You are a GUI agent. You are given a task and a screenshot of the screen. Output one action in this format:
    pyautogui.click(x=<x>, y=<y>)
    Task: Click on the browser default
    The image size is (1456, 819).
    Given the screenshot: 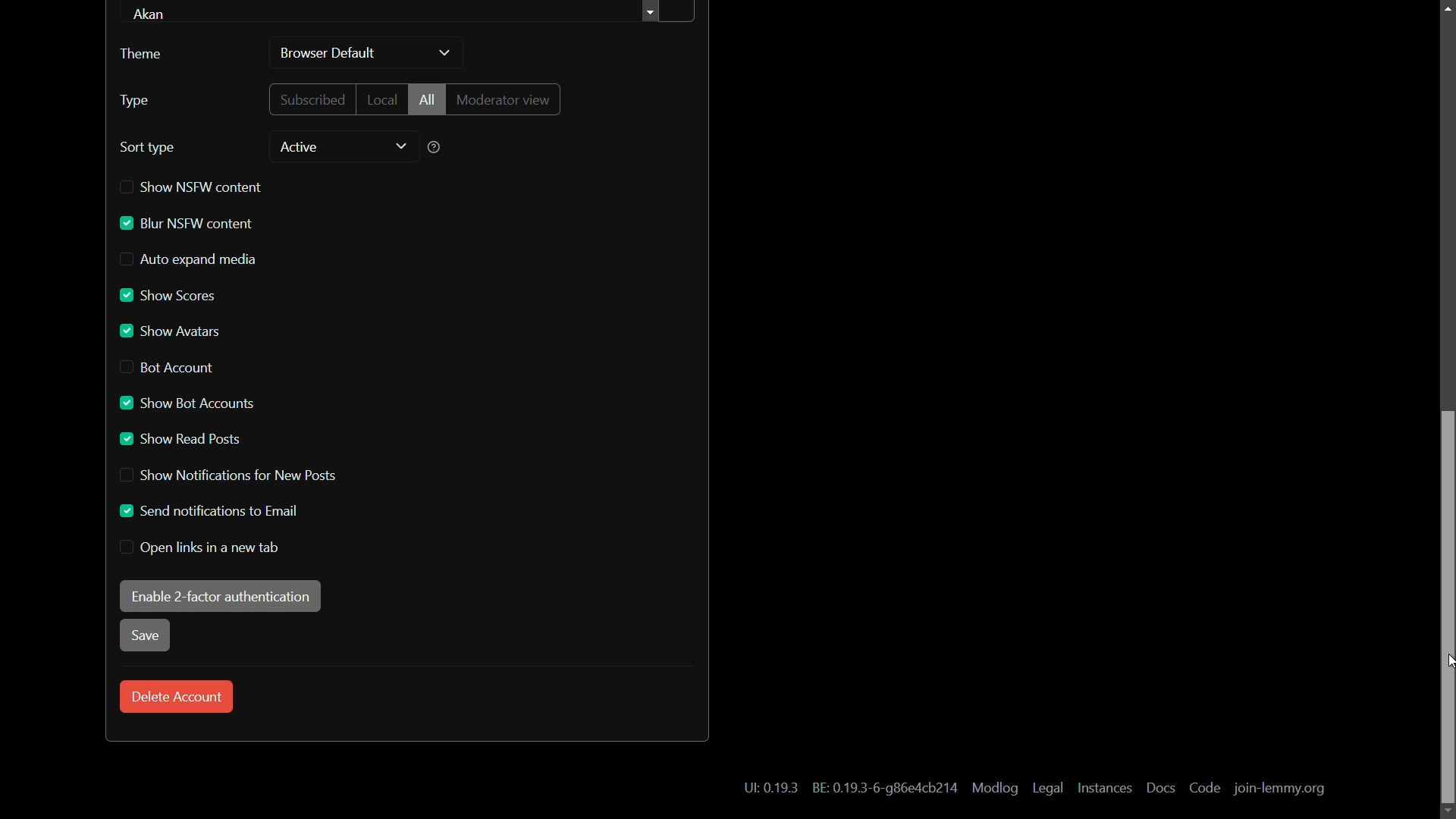 What is the action you would take?
    pyautogui.click(x=329, y=55)
    